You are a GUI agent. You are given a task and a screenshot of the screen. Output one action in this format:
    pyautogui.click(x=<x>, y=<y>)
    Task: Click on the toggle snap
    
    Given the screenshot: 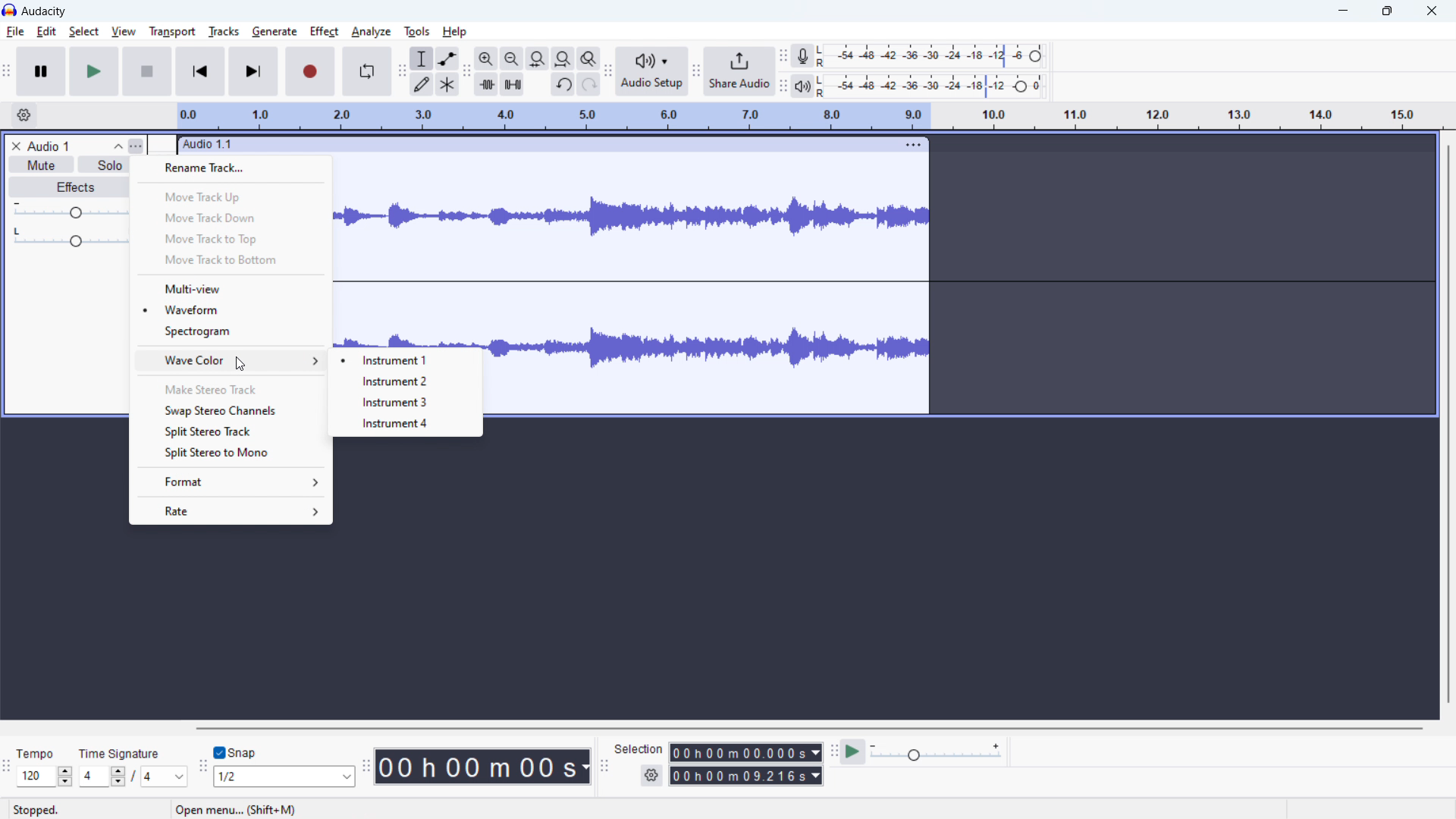 What is the action you would take?
    pyautogui.click(x=237, y=753)
    